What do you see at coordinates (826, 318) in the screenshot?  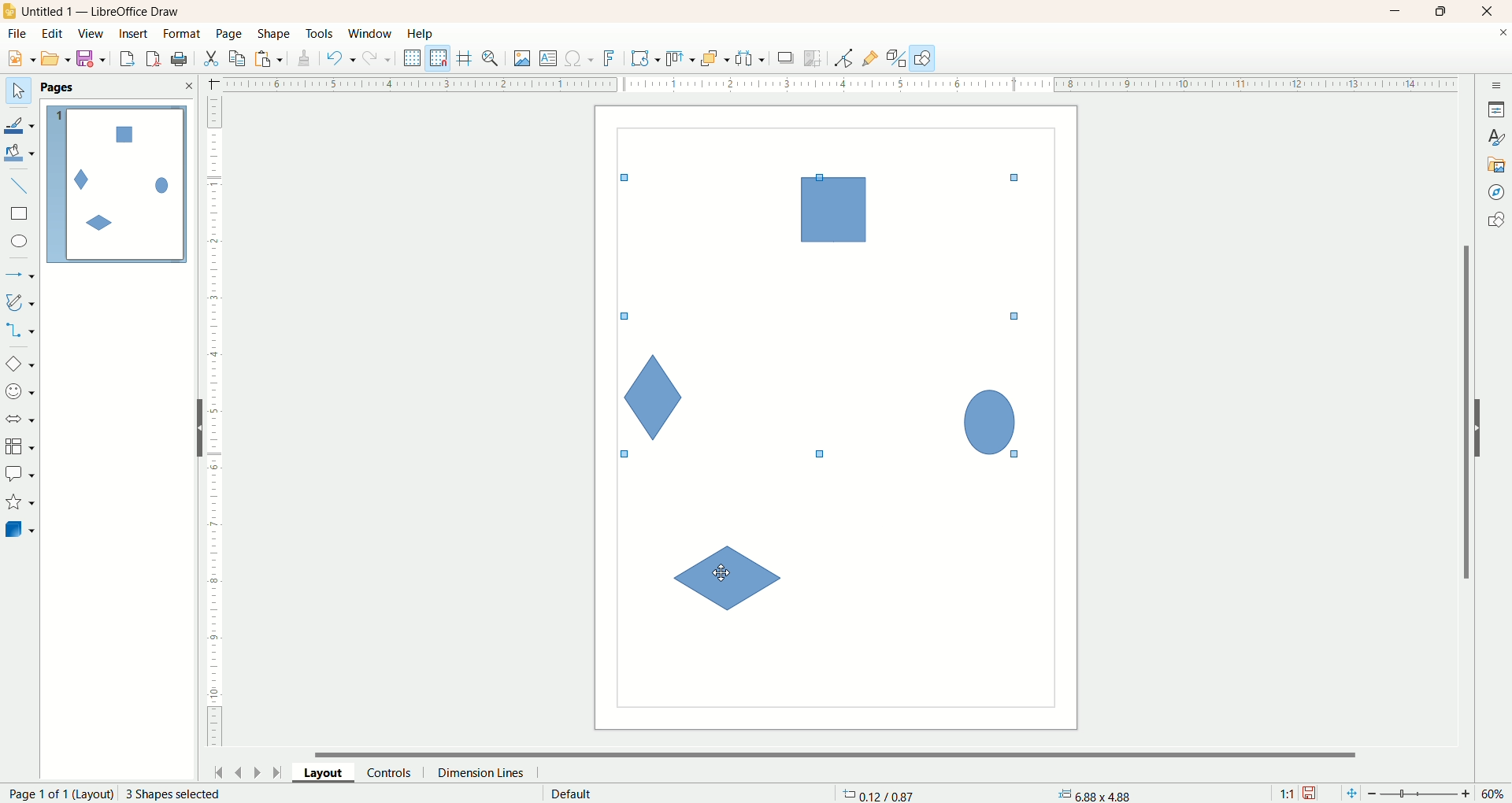 I see `shapes selected` at bounding box center [826, 318].